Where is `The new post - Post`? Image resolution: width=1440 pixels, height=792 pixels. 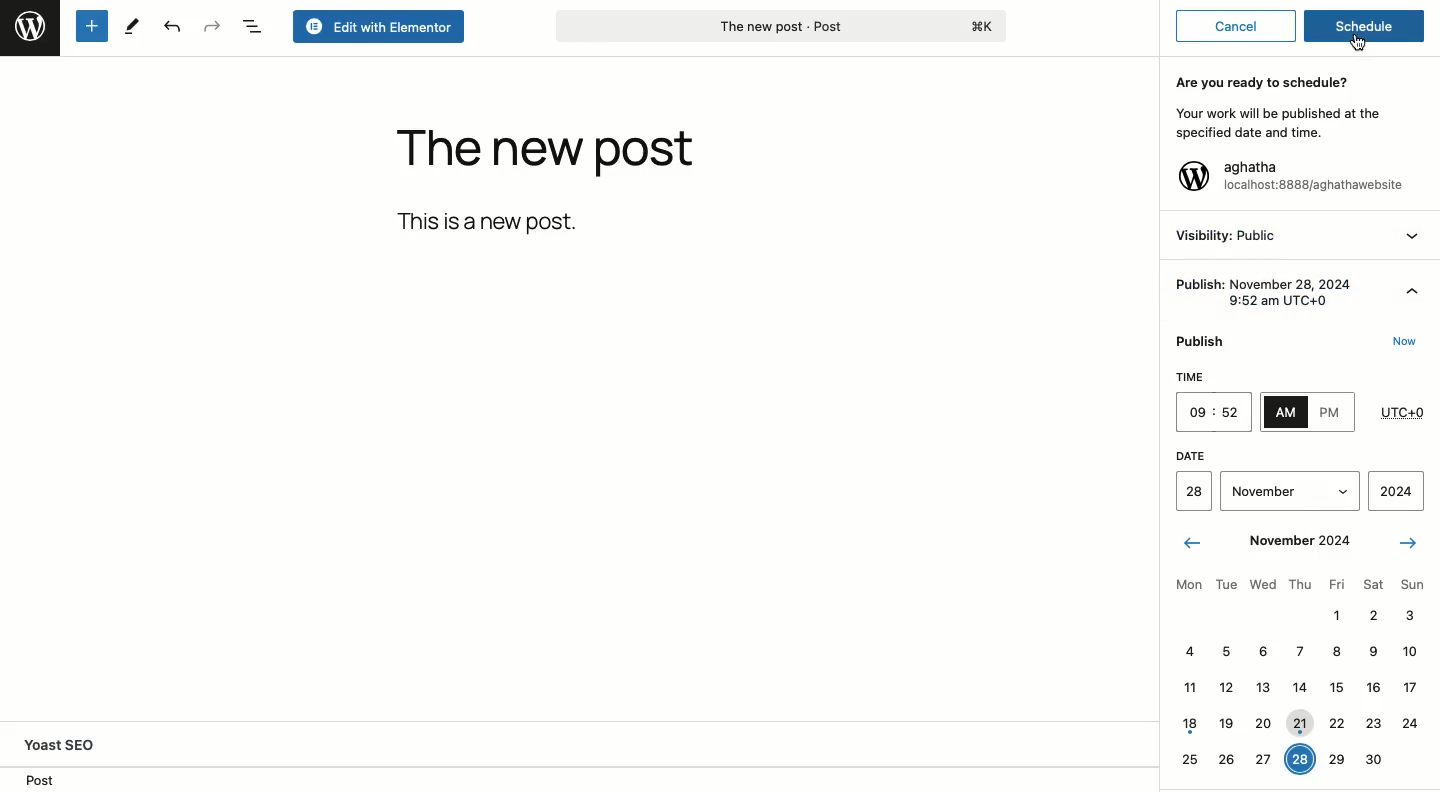
The new post - Post is located at coordinates (779, 27).